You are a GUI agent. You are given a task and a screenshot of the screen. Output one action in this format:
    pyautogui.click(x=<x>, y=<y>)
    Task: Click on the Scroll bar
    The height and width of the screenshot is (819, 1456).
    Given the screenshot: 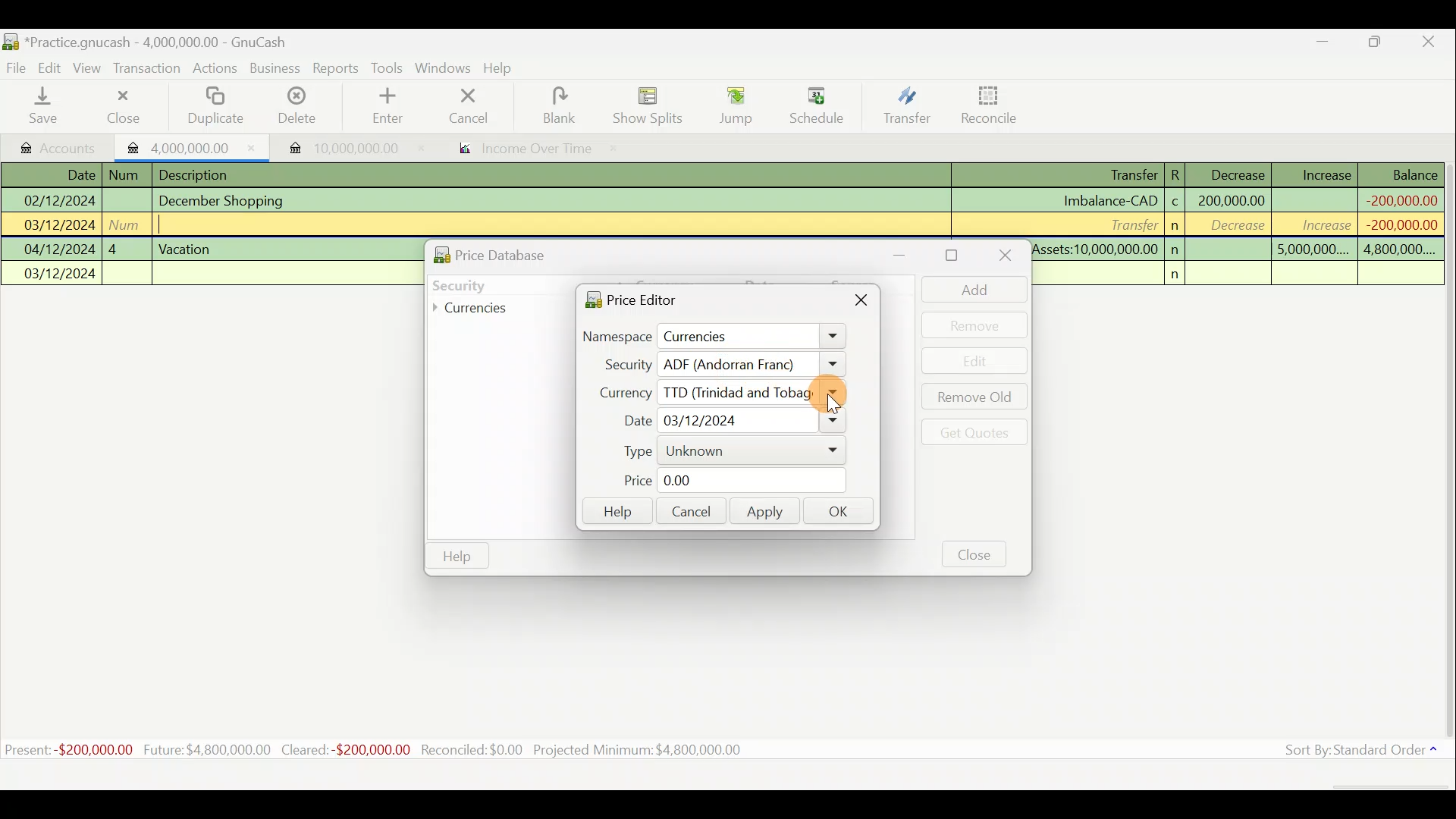 What is the action you would take?
    pyautogui.click(x=1447, y=454)
    